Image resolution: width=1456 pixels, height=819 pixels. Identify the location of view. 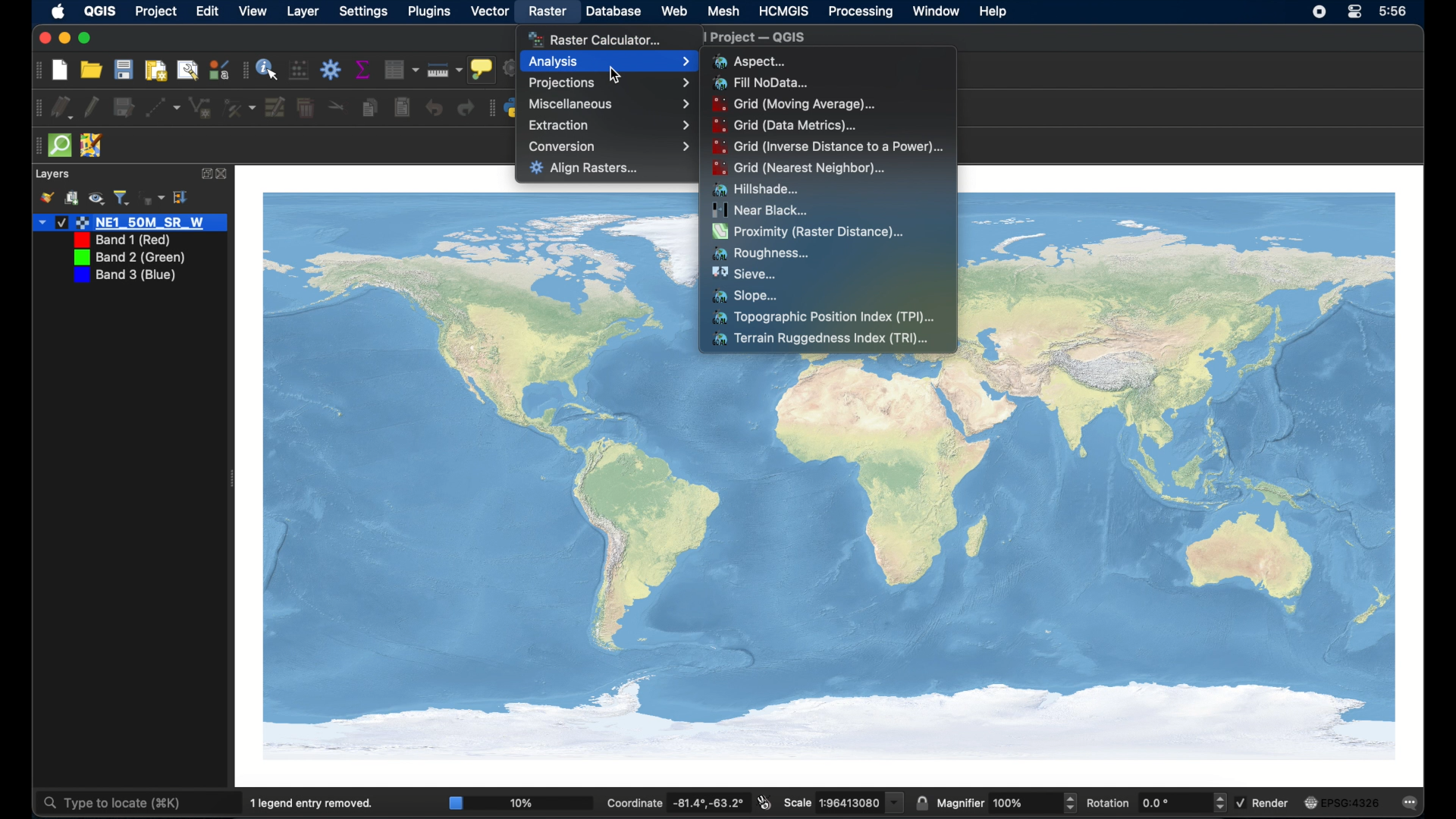
(255, 11).